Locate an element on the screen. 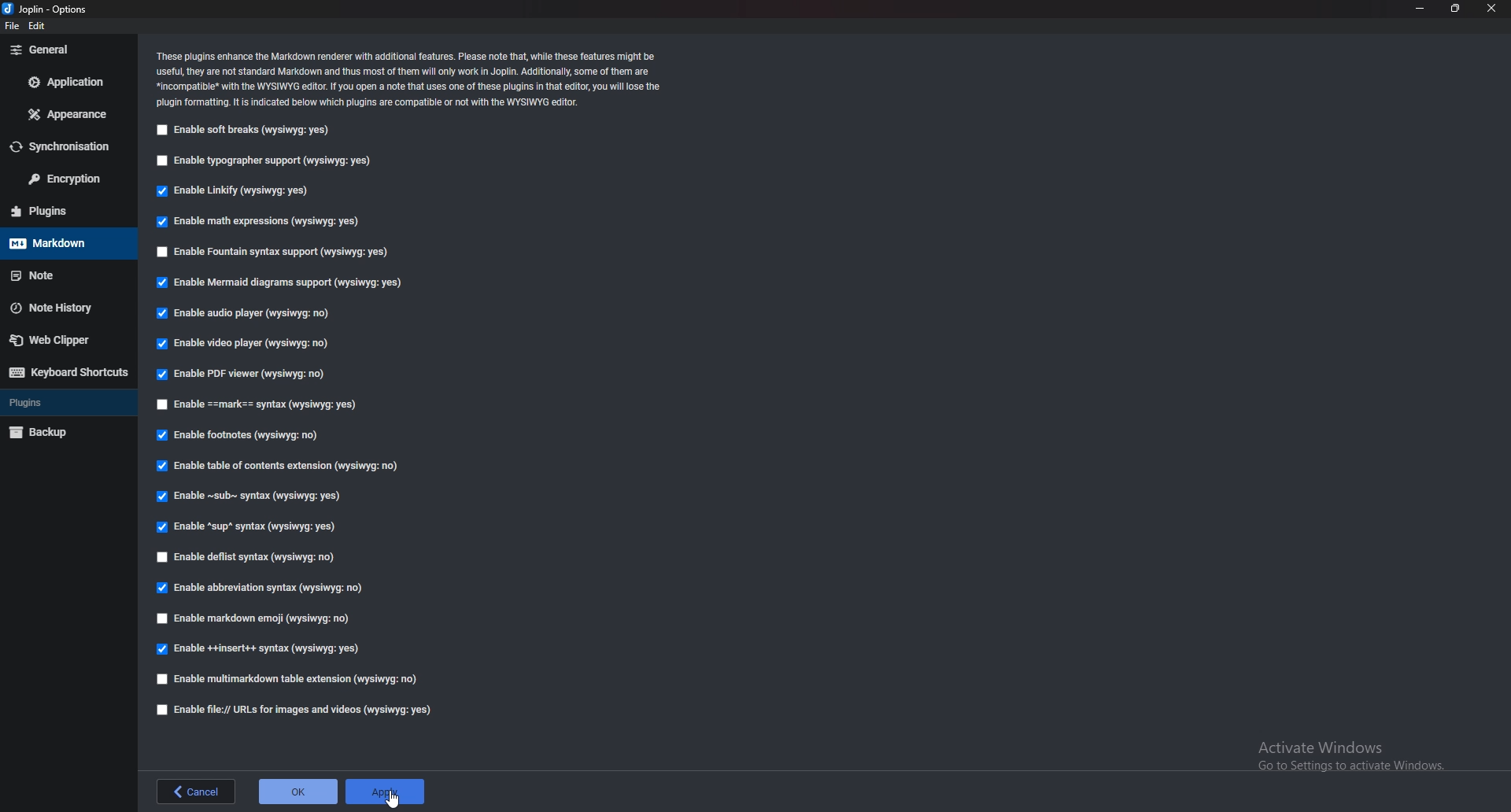  Backup is located at coordinates (63, 433).